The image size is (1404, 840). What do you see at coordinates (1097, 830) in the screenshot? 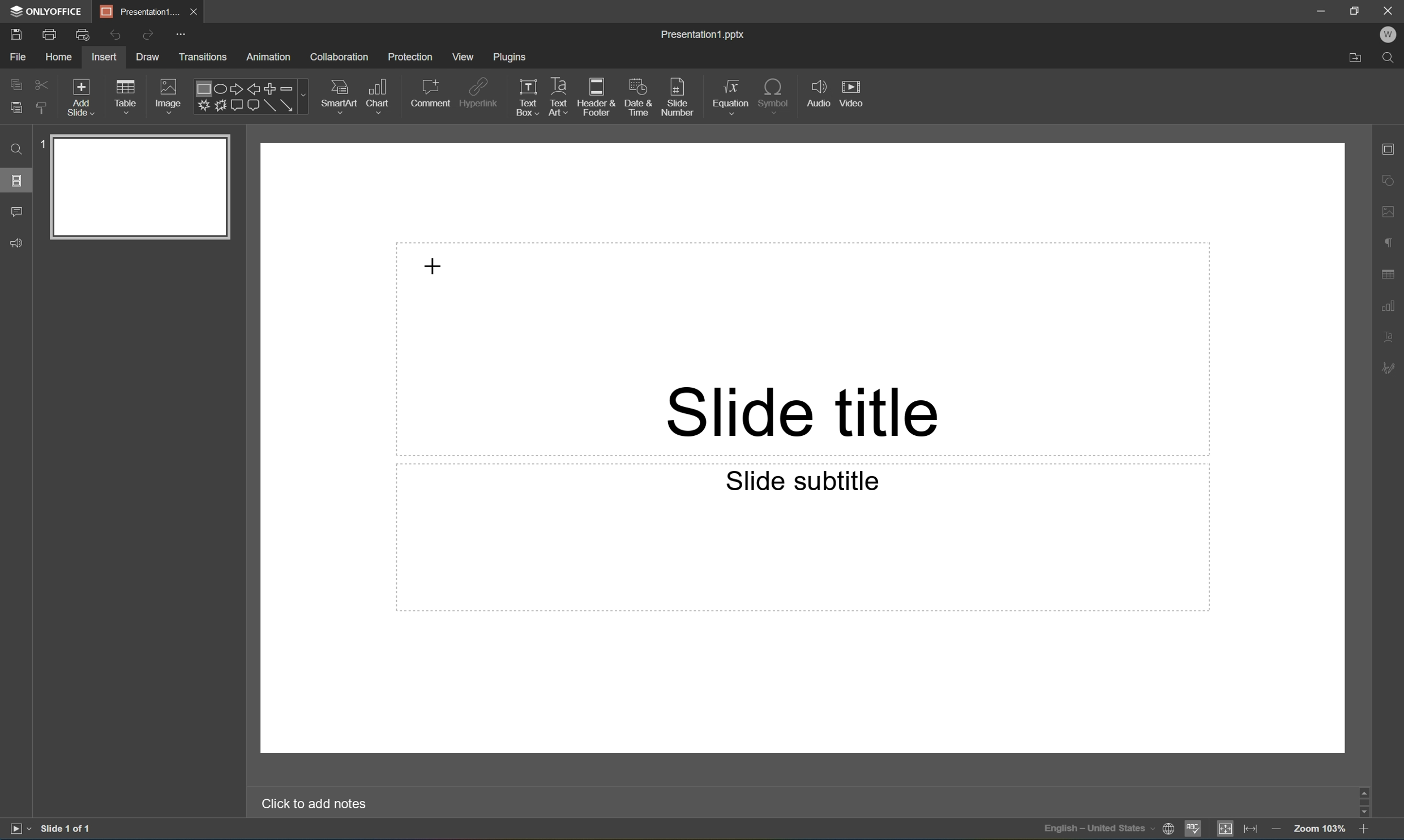
I see `English-United States` at bounding box center [1097, 830].